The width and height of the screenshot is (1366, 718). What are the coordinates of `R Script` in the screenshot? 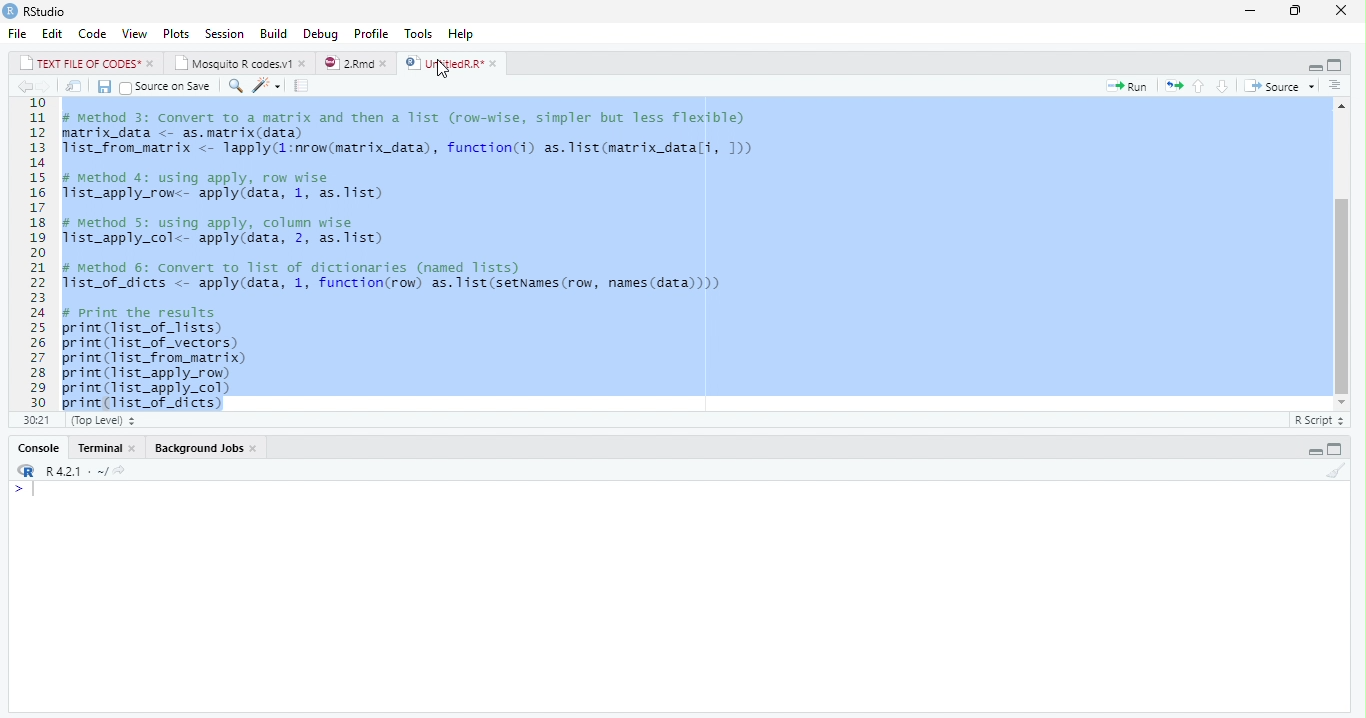 It's located at (1320, 419).